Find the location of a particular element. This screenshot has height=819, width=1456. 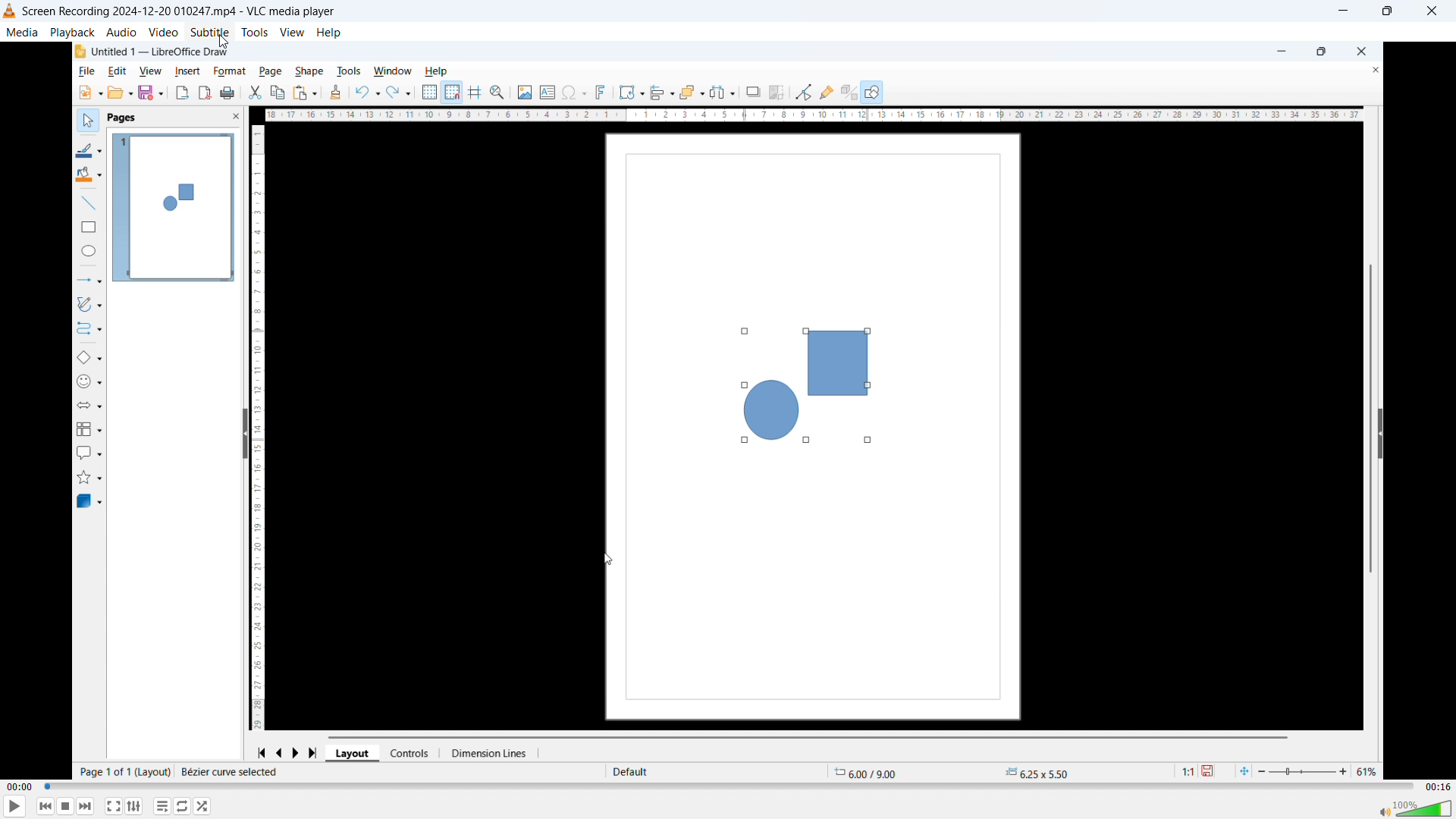

fit page to current window is located at coordinates (1244, 770).